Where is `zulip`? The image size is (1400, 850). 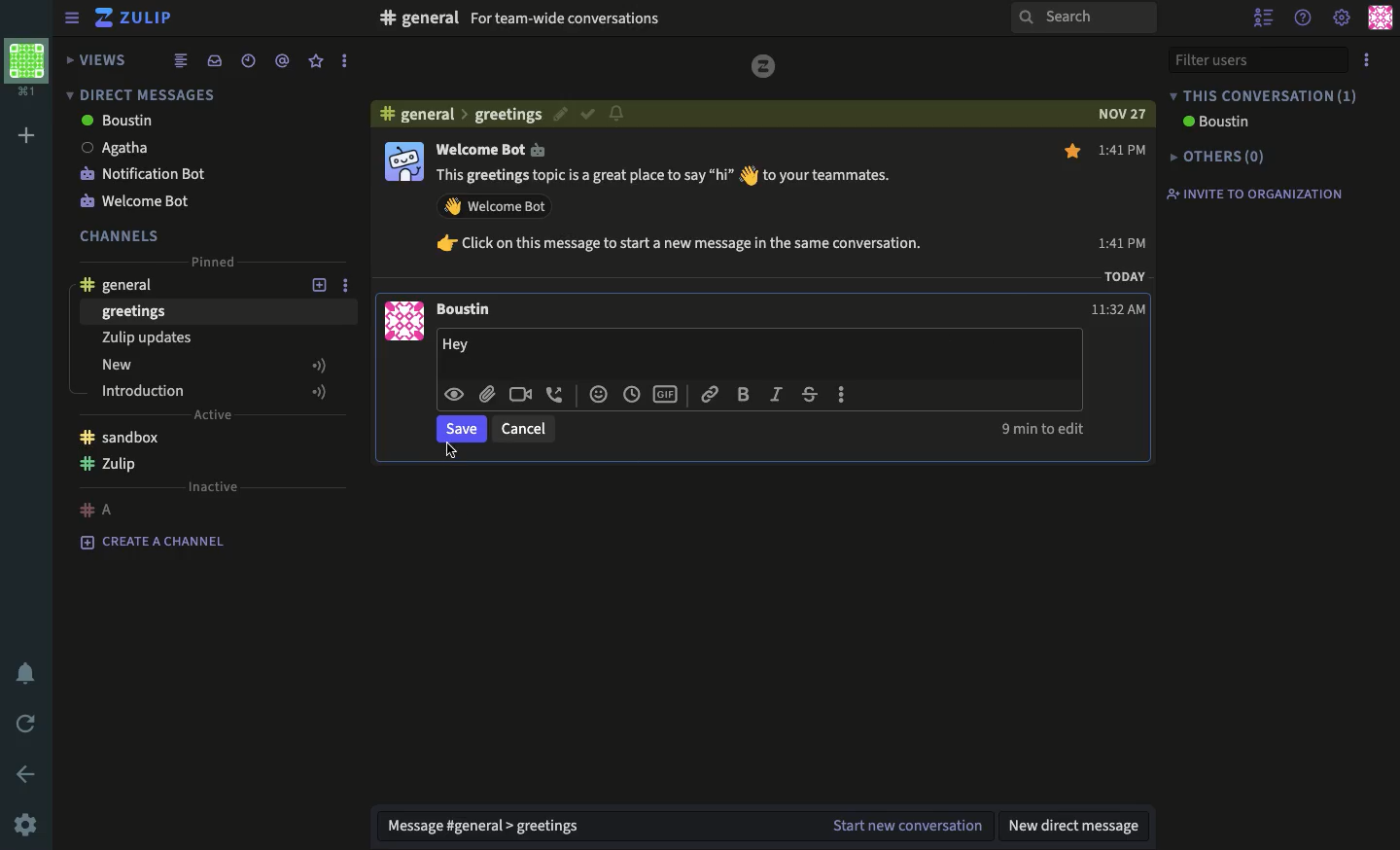
zulip is located at coordinates (115, 467).